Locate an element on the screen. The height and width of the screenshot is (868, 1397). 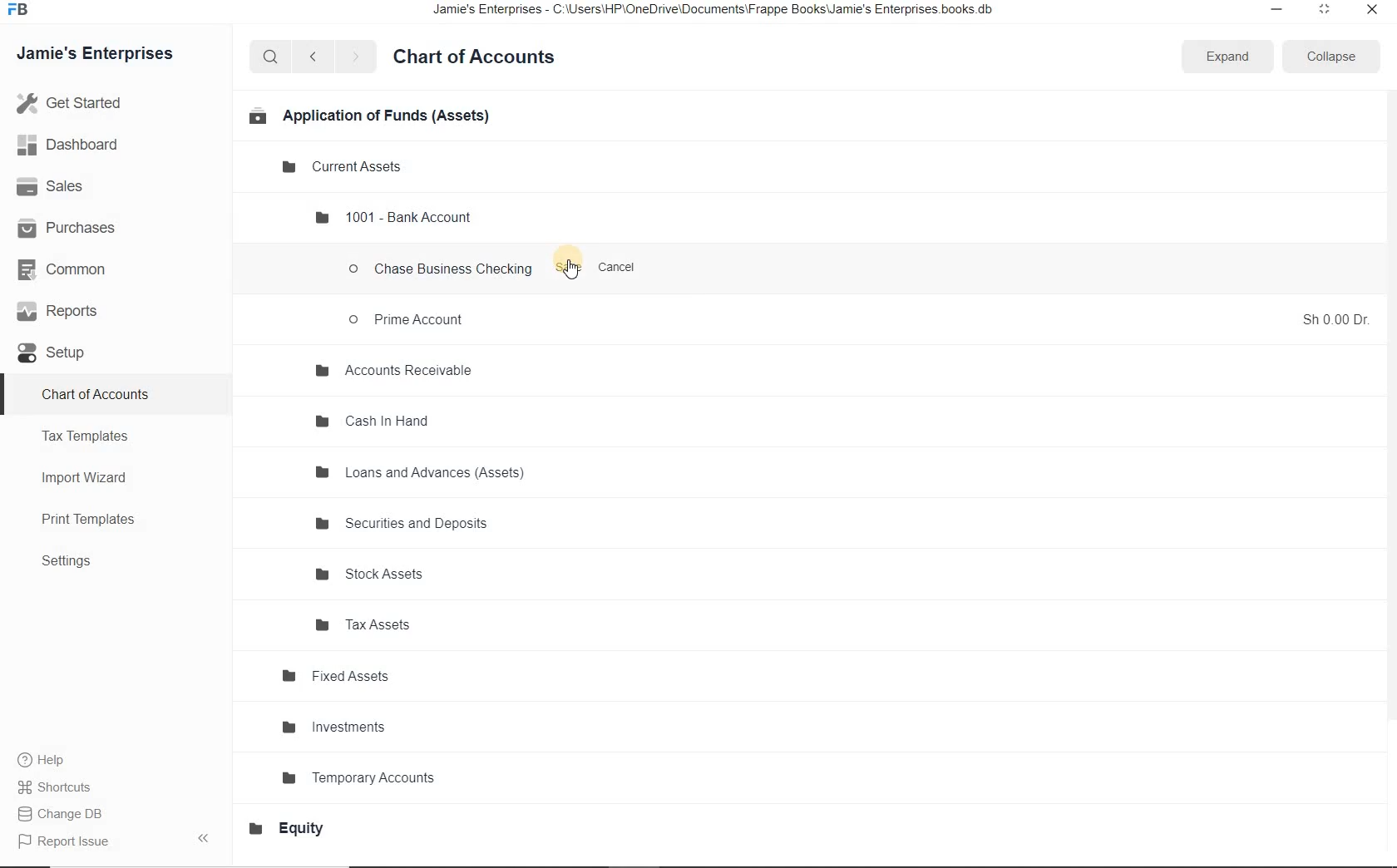
expand is located at coordinates (207, 837).